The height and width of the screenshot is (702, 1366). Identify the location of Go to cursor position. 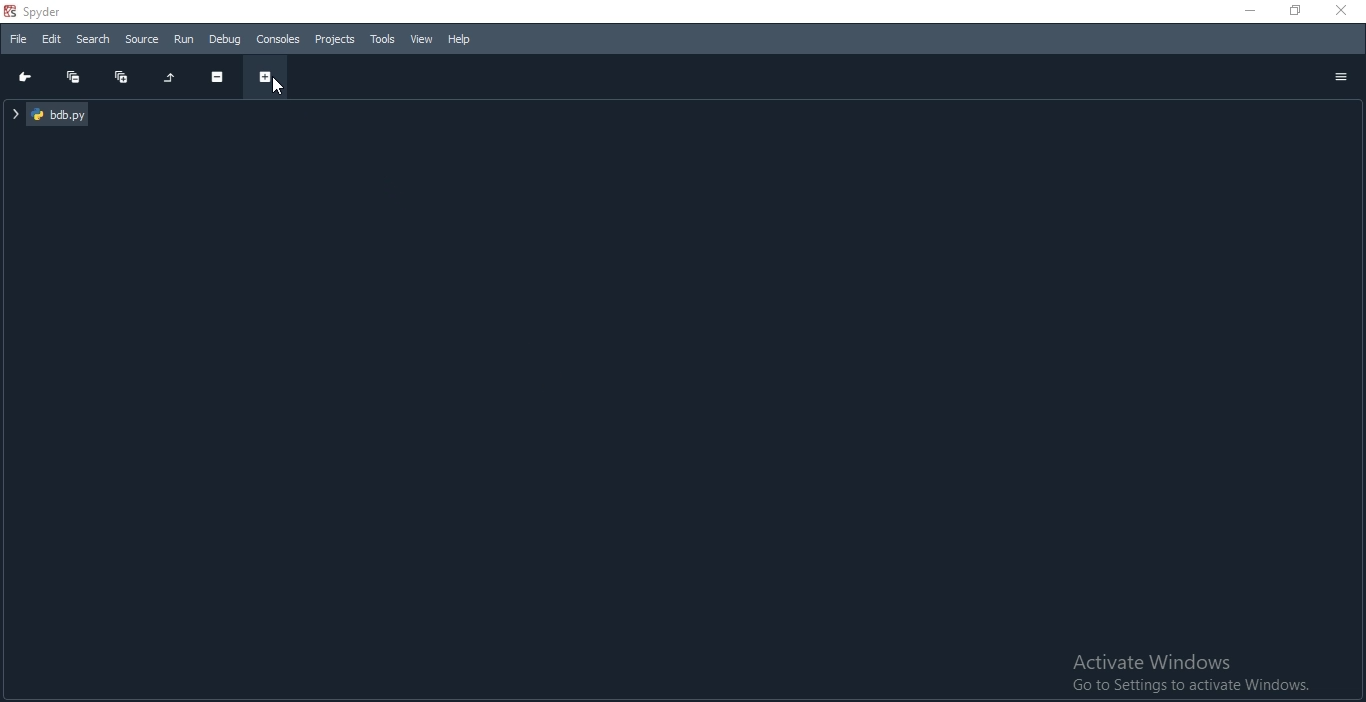
(20, 78).